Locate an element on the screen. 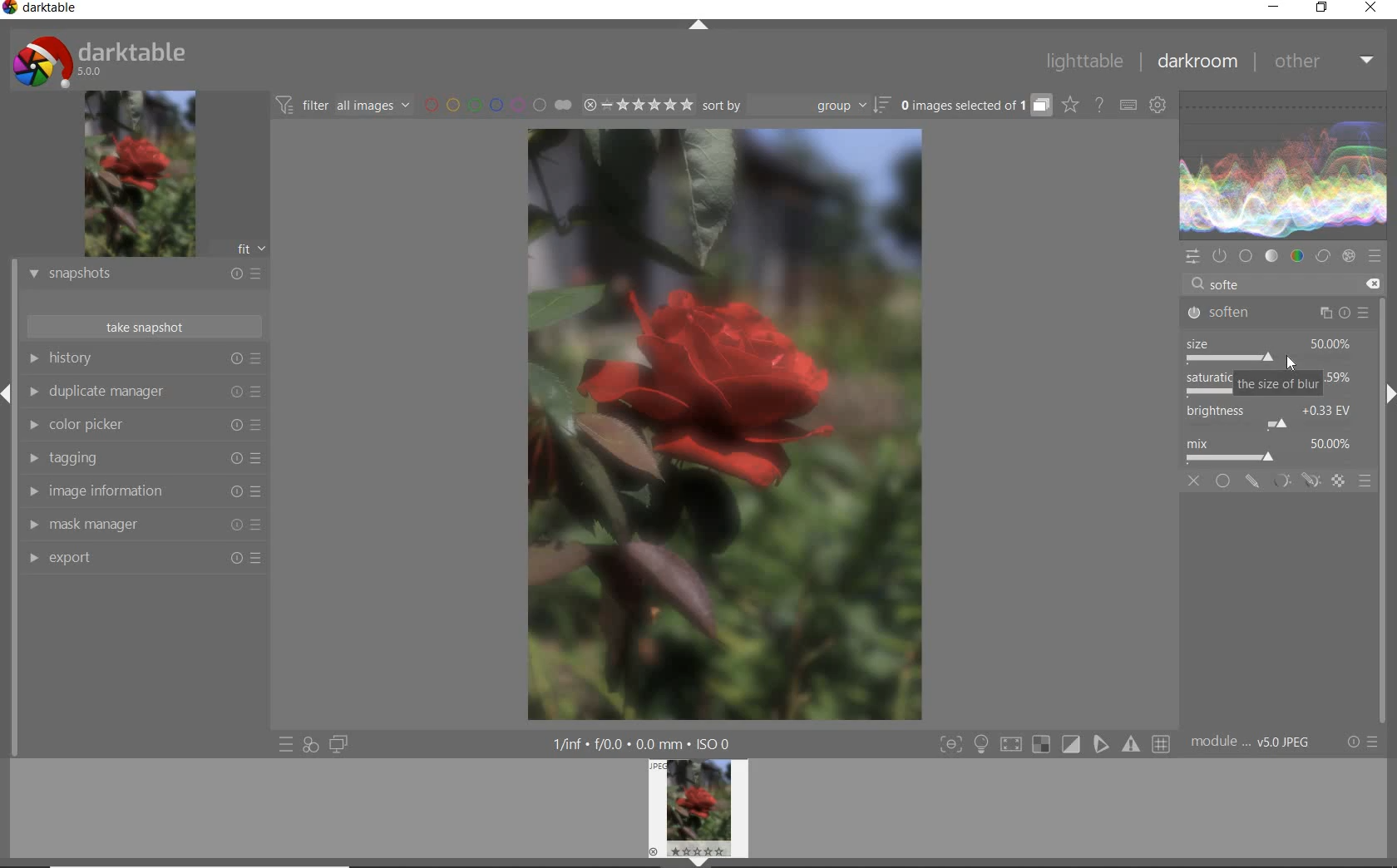  quick access to presets is located at coordinates (286, 745).